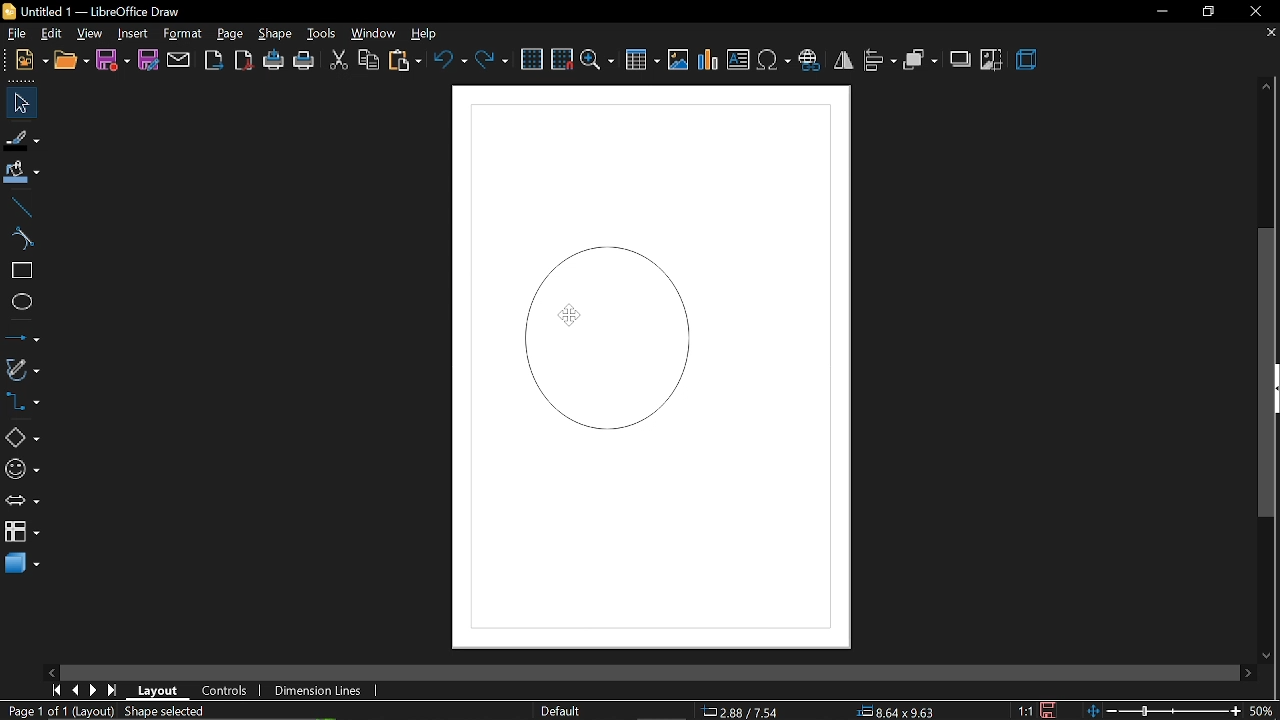 The image size is (1280, 720). What do you see at coordinates (51, 673) in the screenshot?
I see `move left` at bounding box center [51, 673].